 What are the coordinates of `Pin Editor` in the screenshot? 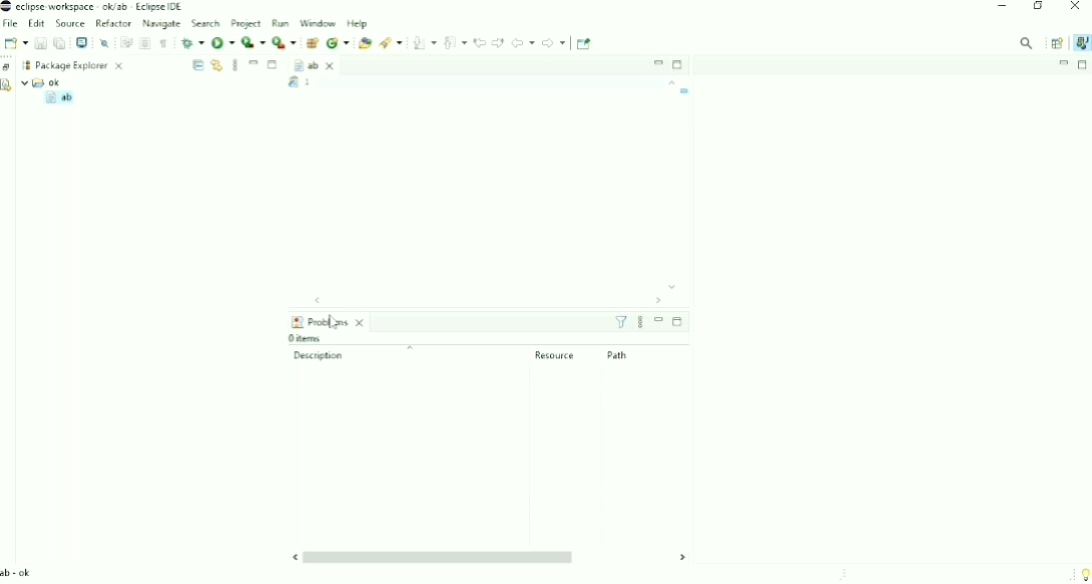 It's located at (585, 44).